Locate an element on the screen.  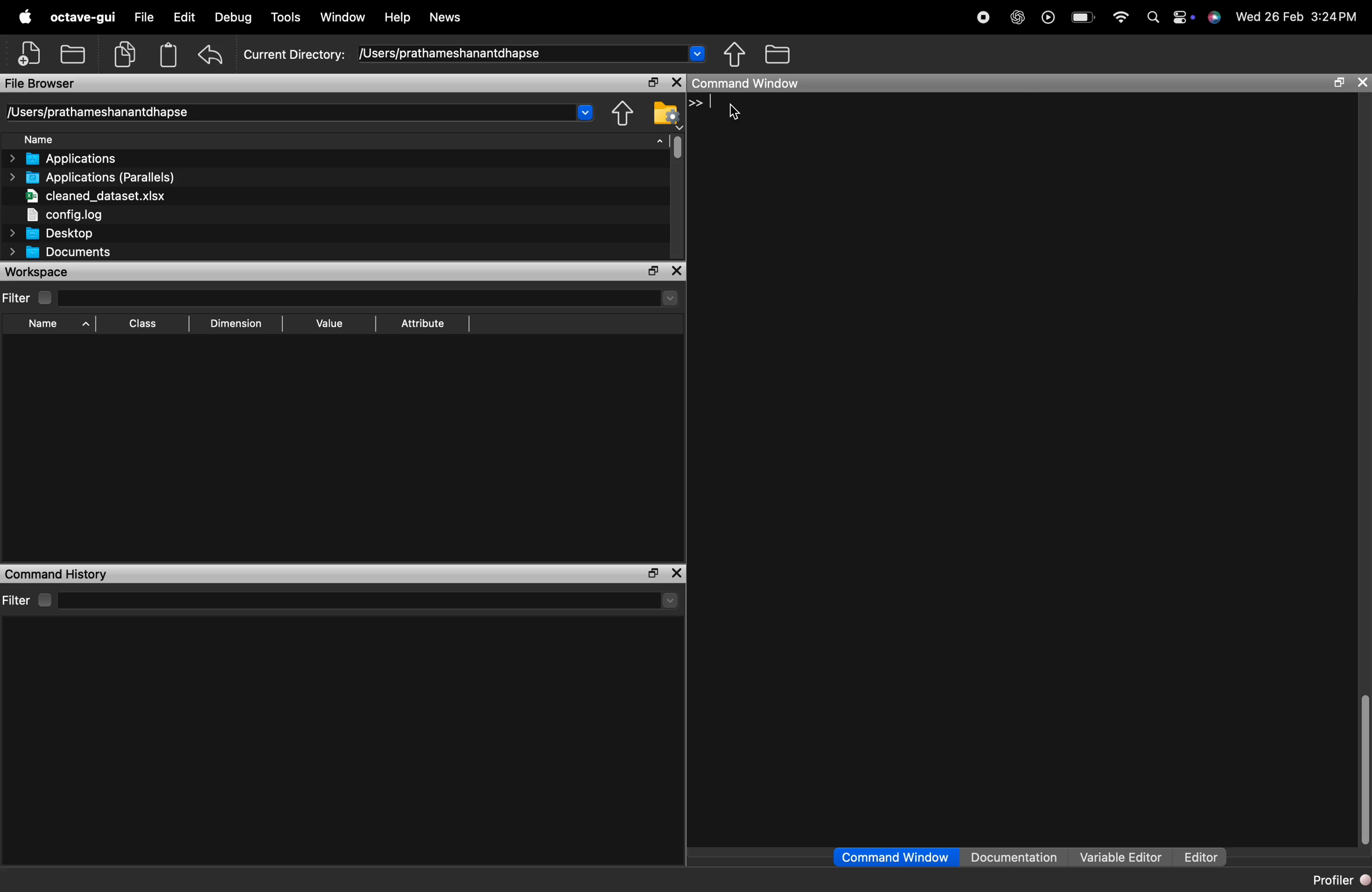
siri is located at coordinates (1213, 18).